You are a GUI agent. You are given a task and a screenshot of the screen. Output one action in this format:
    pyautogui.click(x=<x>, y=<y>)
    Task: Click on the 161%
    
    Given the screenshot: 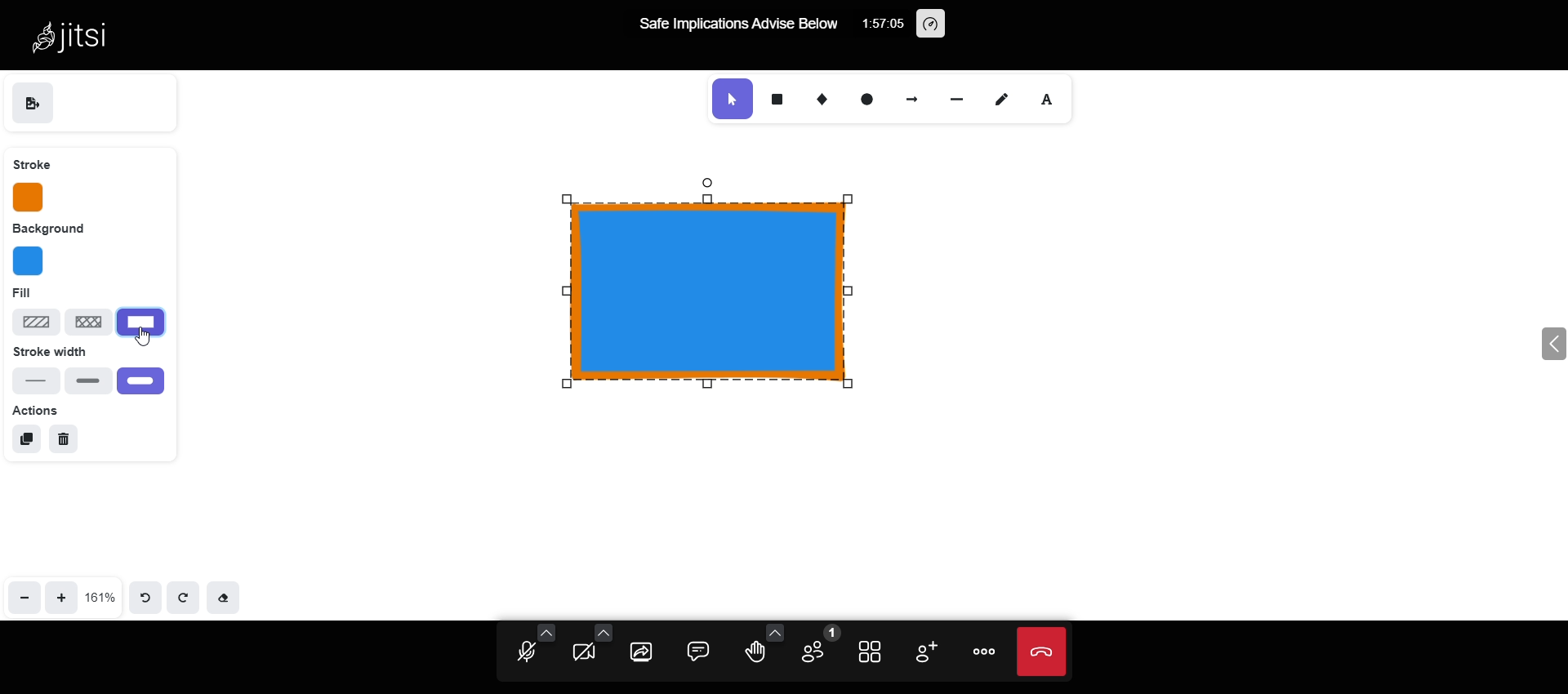 What is the action you would take?
    pyautogui.click(x=100, y=594)
    